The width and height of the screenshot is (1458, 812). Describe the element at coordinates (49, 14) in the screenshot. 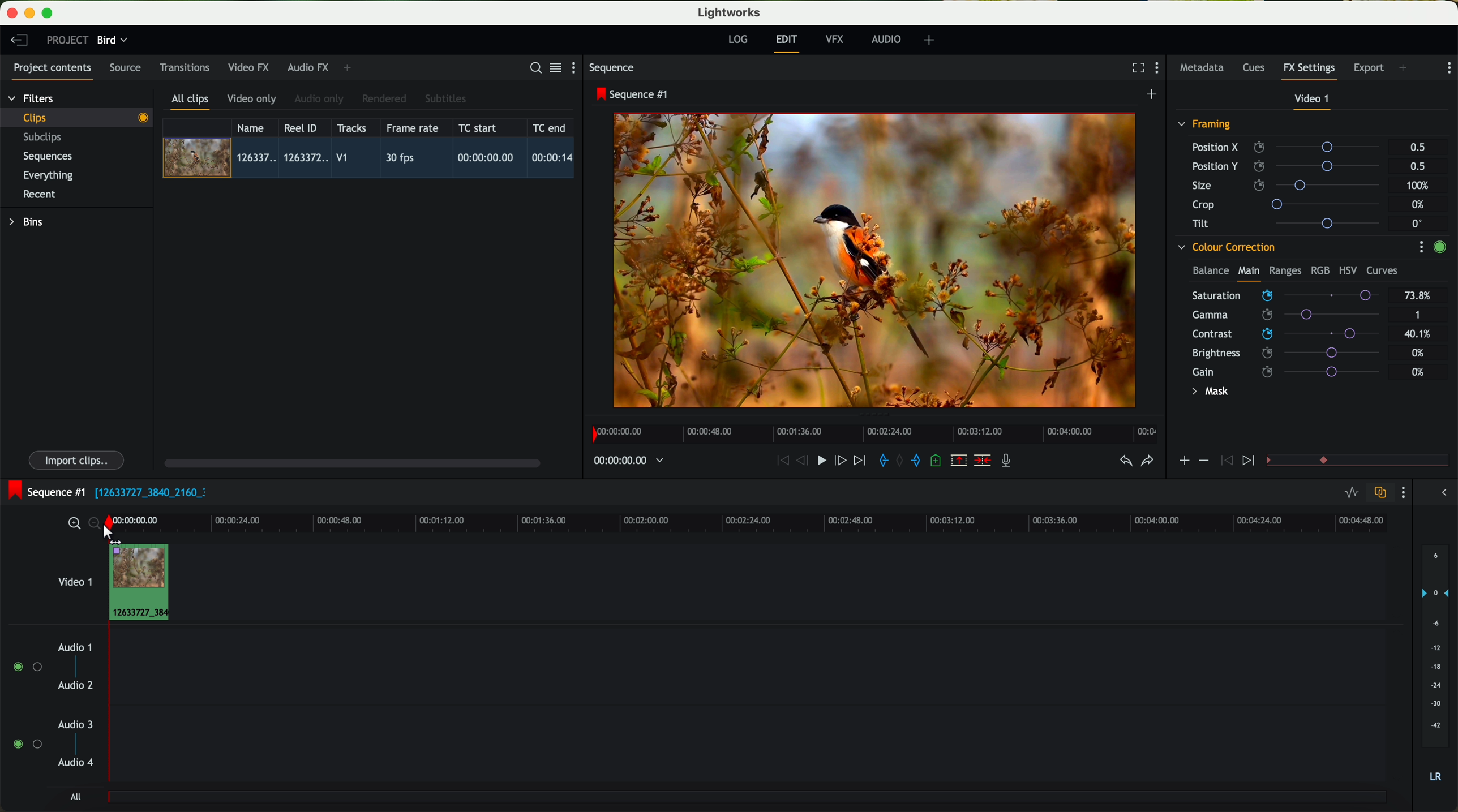

I see `maximize program` at that location.